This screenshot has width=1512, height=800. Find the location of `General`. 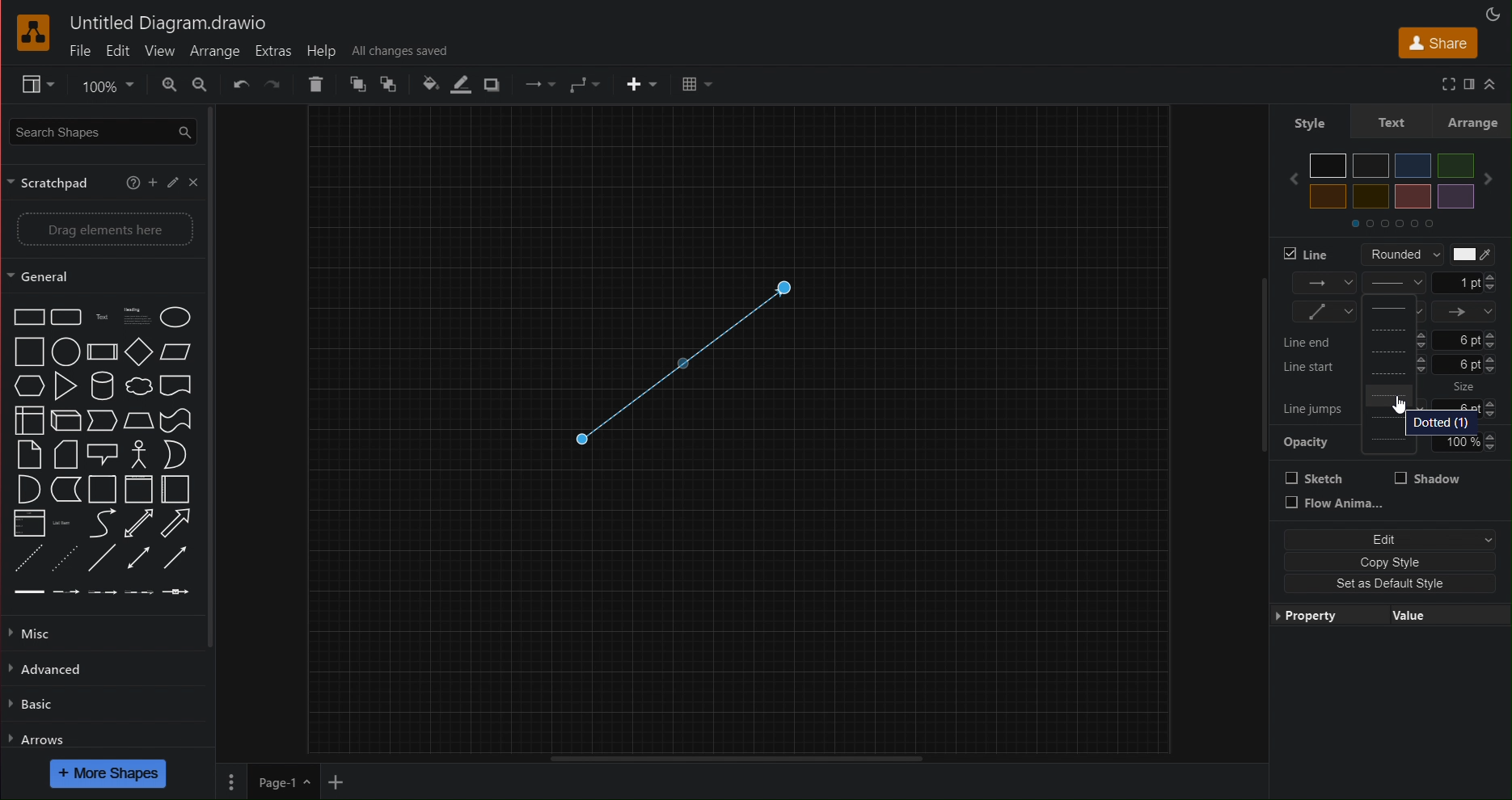

General is located at coordinates (50, 276).